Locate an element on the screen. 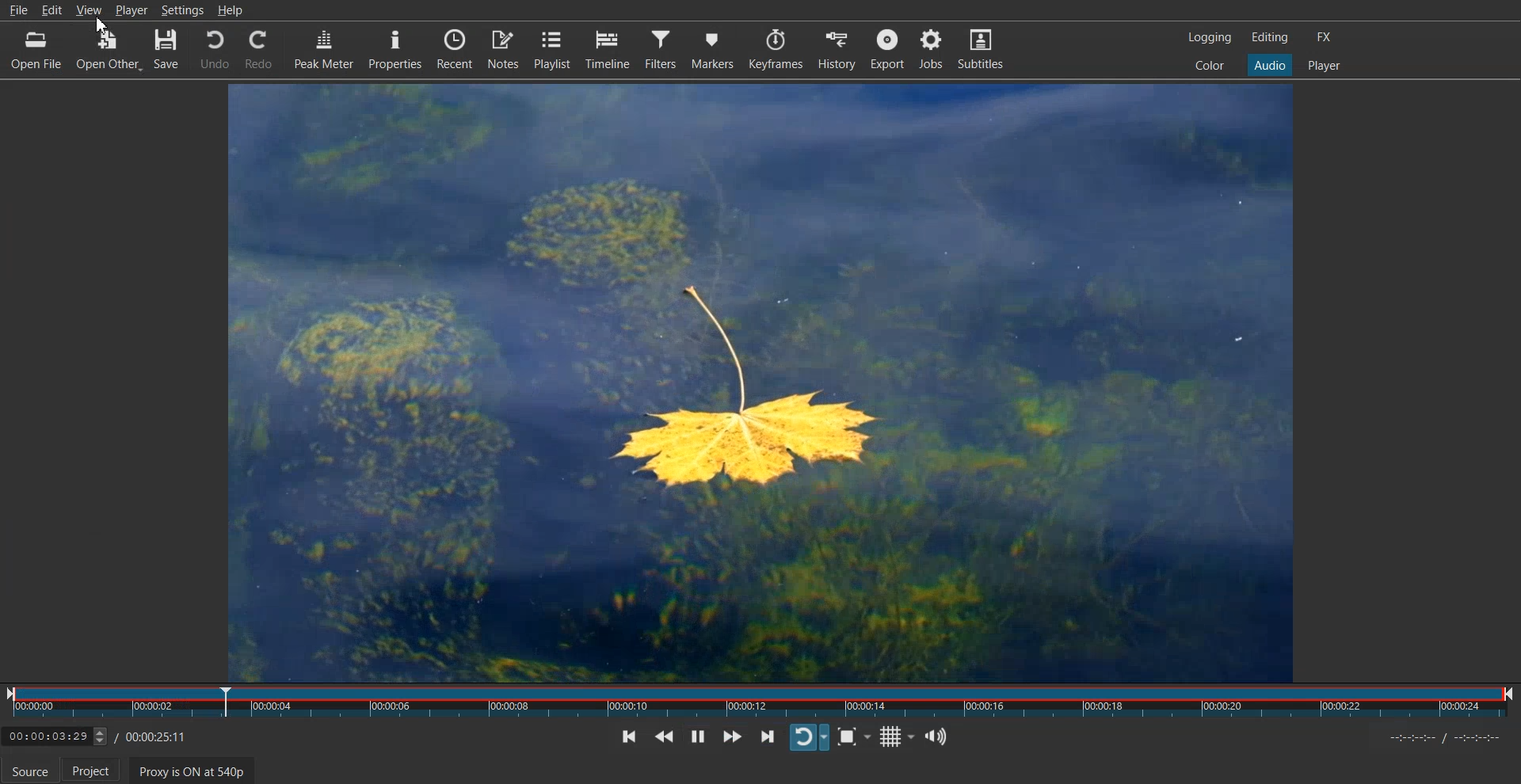  Toggle Zoom is located at coordinates (855, 737).